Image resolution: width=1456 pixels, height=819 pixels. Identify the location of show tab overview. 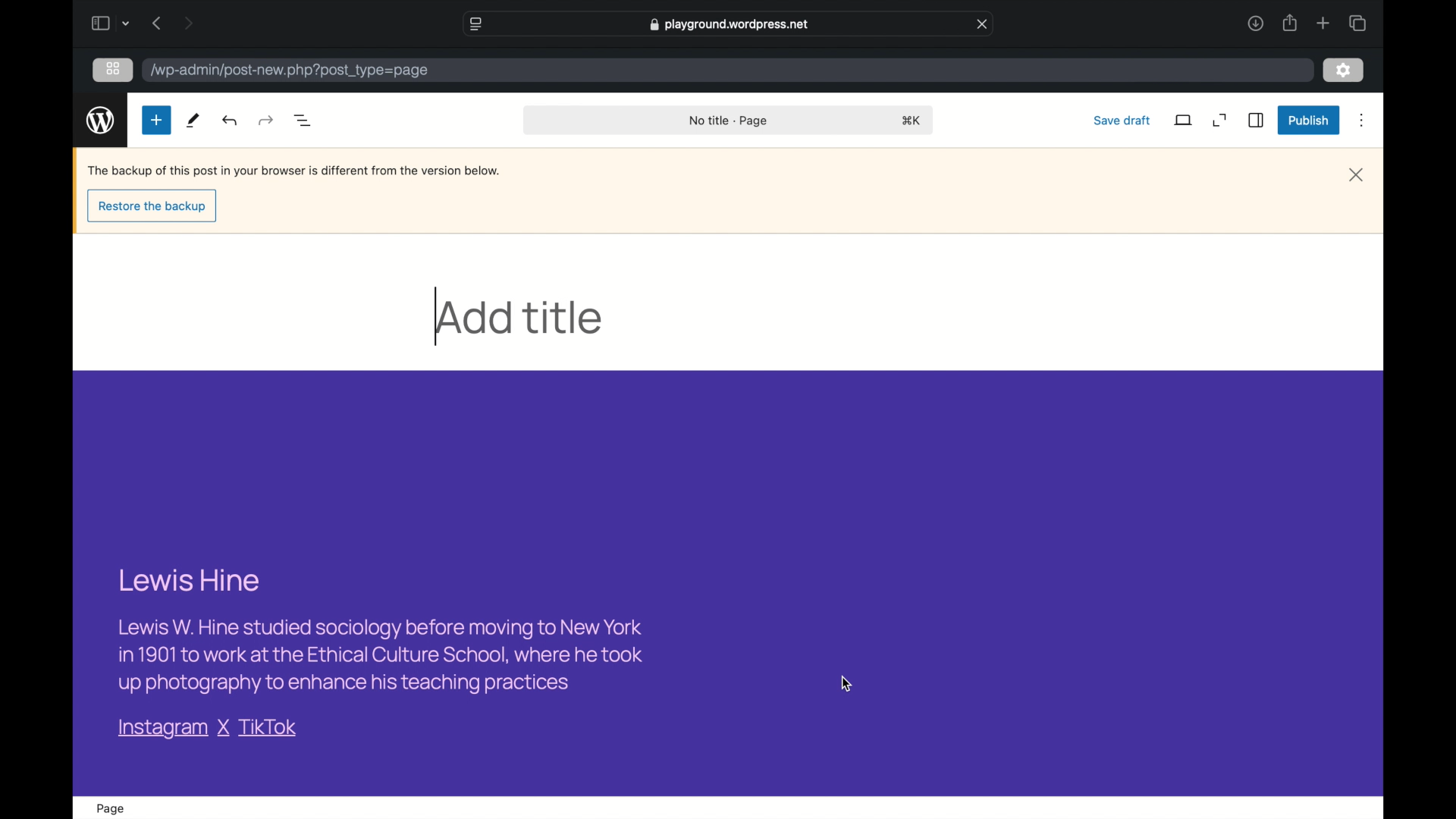
(1357, 23).